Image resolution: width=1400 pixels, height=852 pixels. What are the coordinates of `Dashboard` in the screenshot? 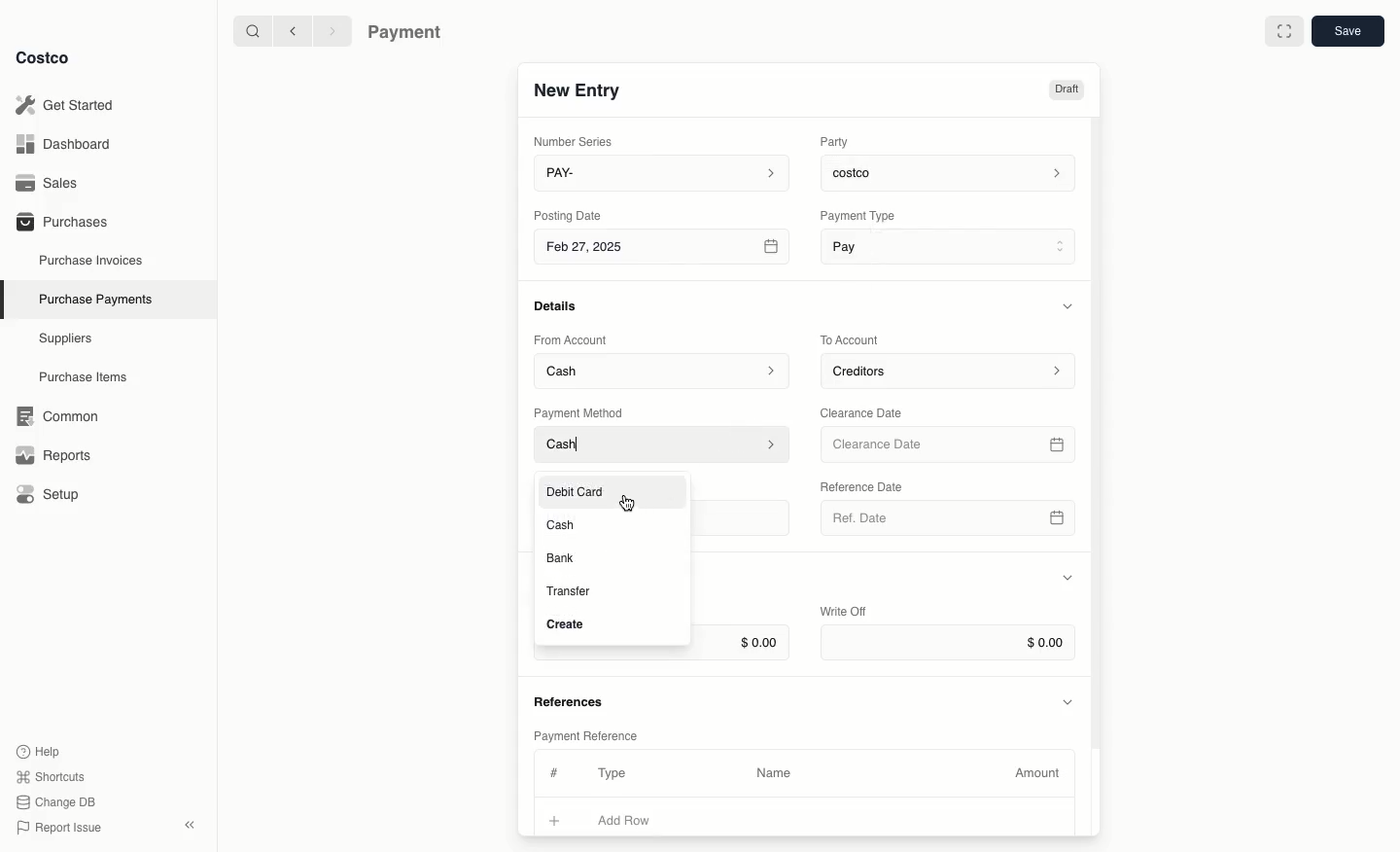 It's located at (69, 143).